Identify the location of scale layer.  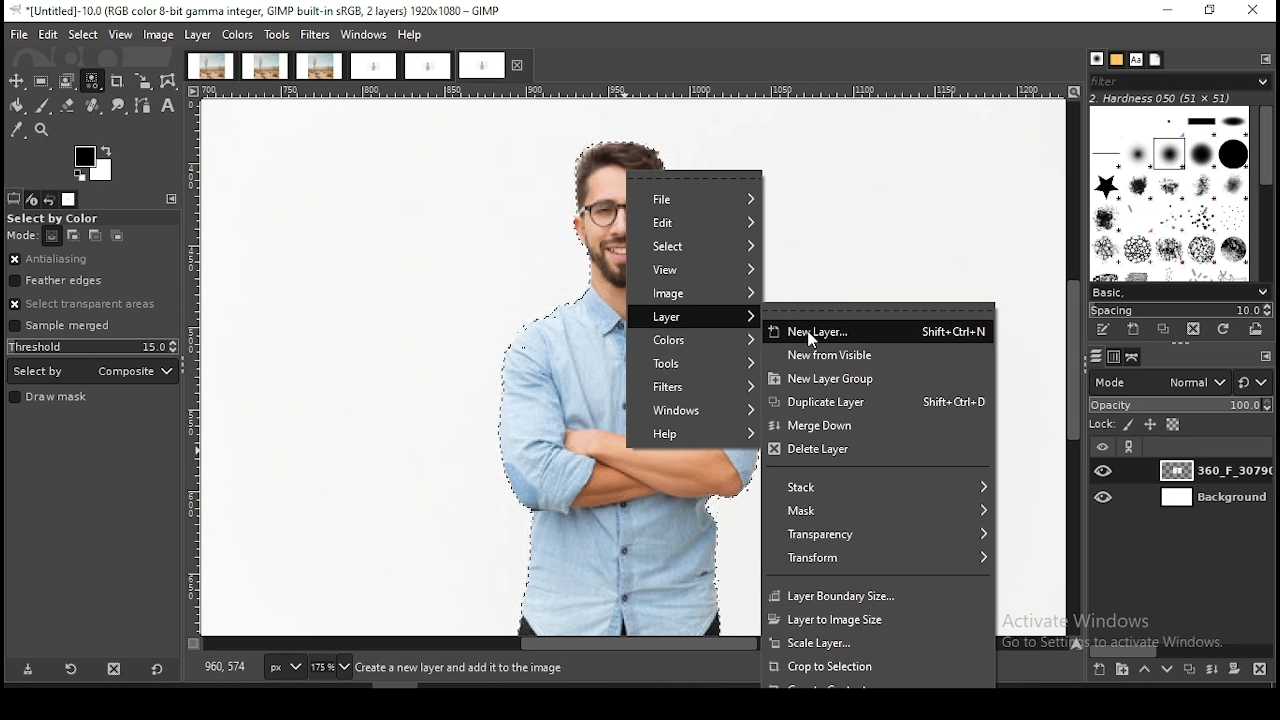
(875, 643).